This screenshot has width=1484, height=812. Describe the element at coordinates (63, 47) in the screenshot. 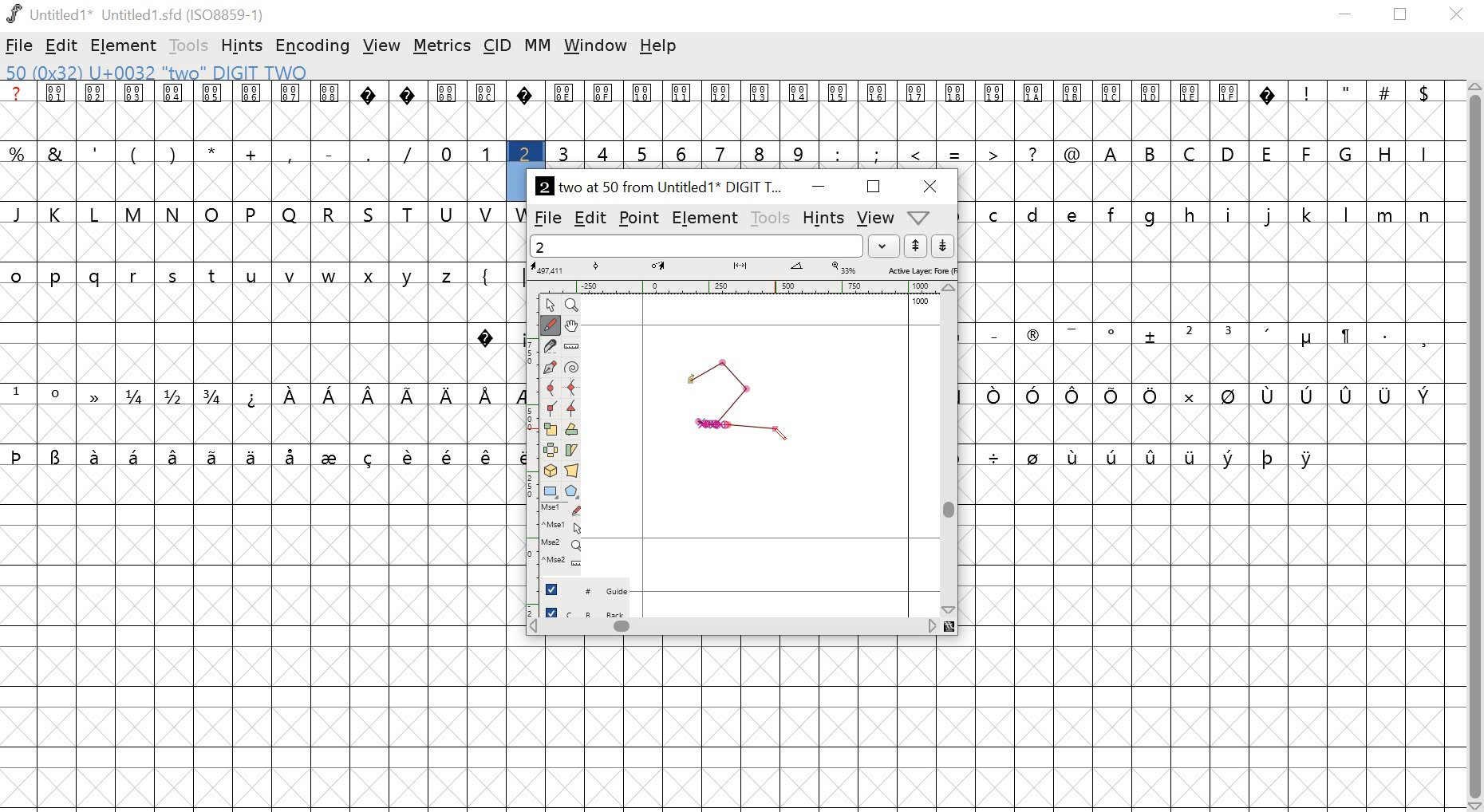

I see `edit` at that location.